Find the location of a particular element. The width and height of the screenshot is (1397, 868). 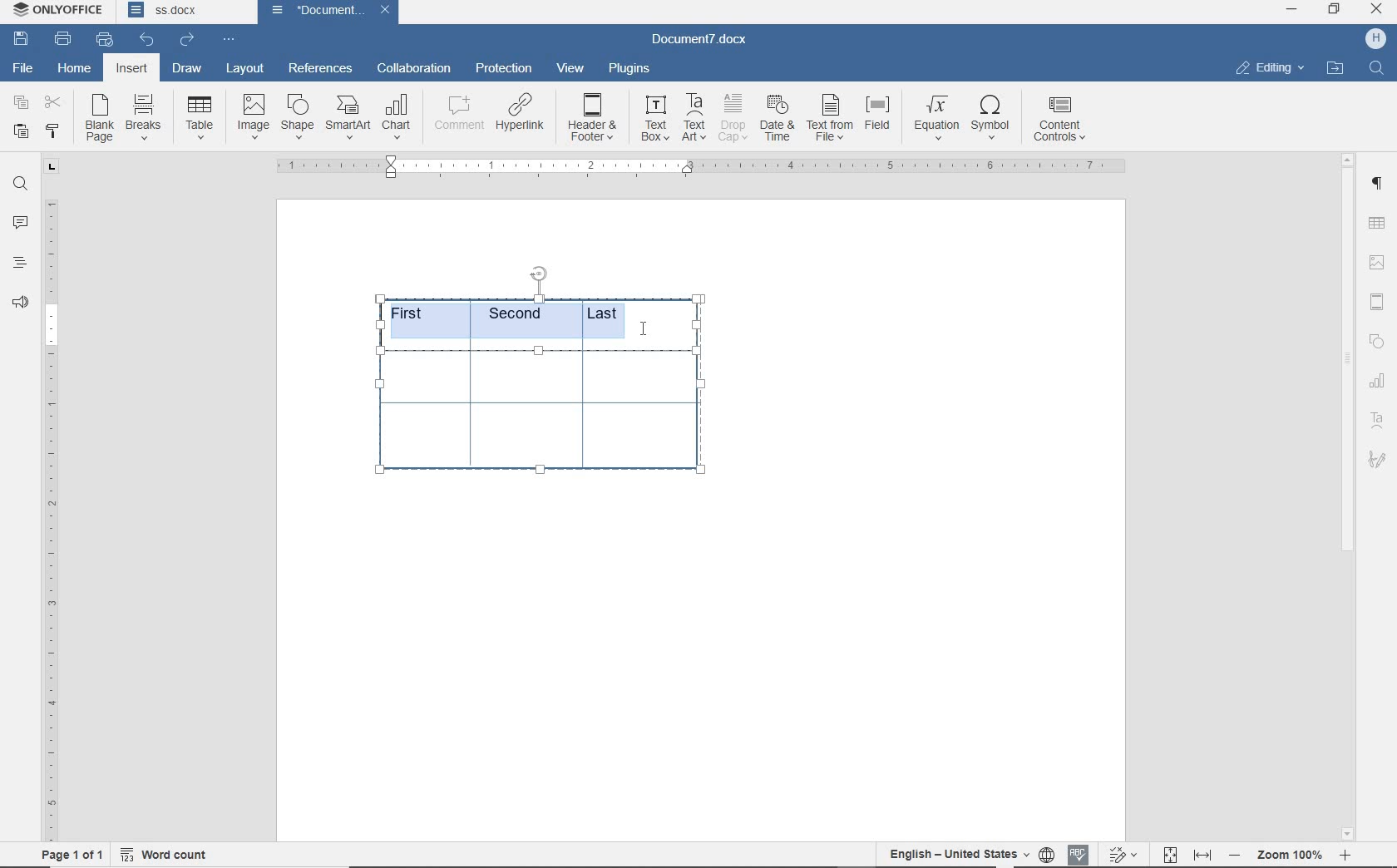

header & footer is located at coordinates (593, 118).